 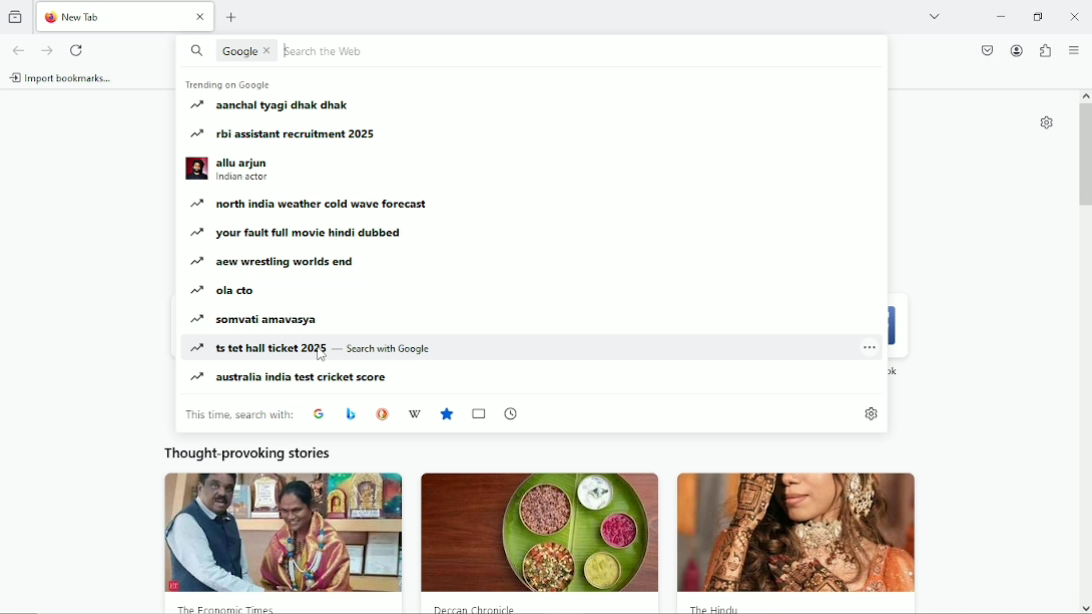 What do you see at coordinates (238, 413) in the screenshot?
I see `this time search with` at bounding box center [238, 413].